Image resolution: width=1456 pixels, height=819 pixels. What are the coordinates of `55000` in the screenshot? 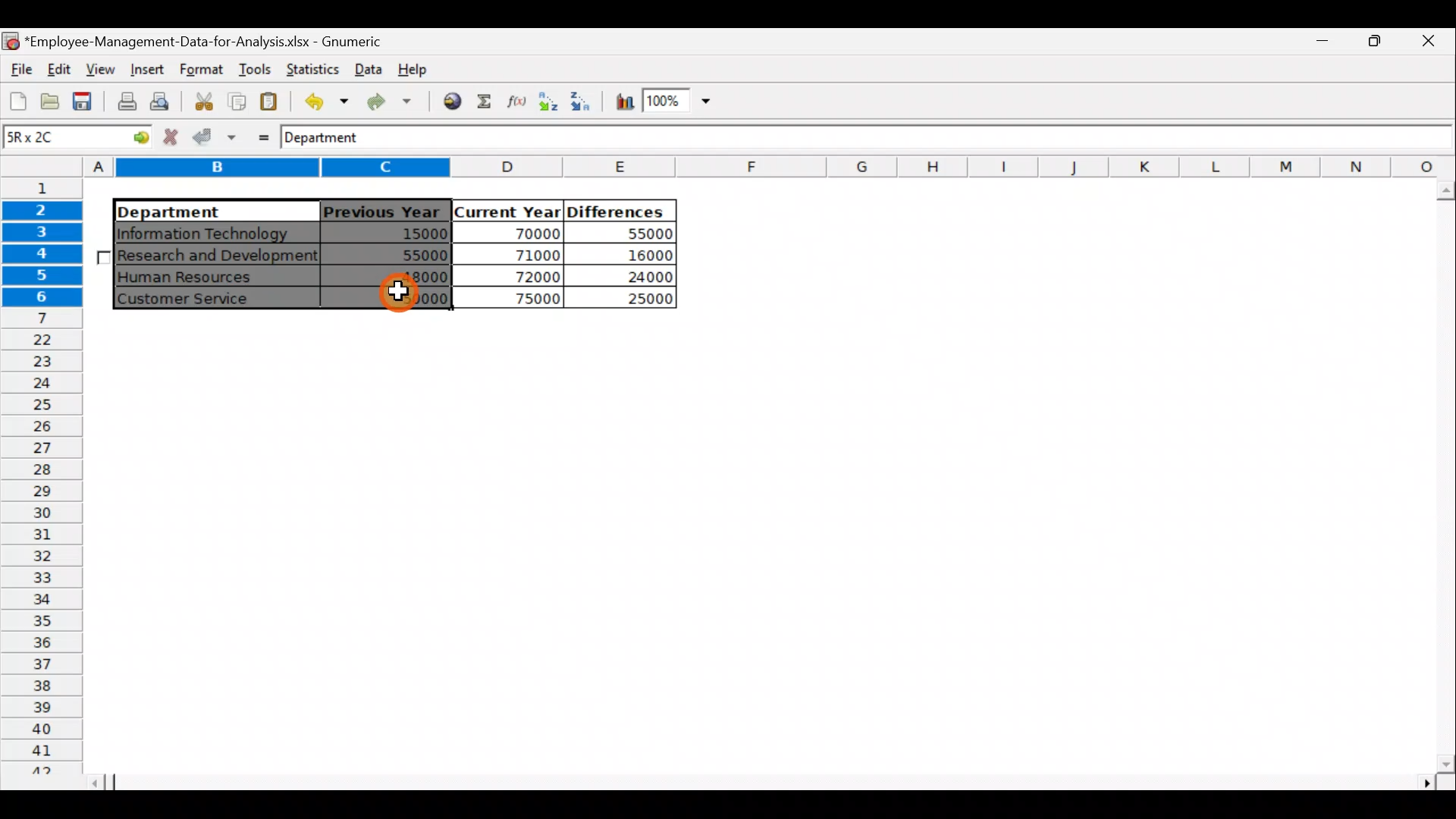 It's located at (416, 255).